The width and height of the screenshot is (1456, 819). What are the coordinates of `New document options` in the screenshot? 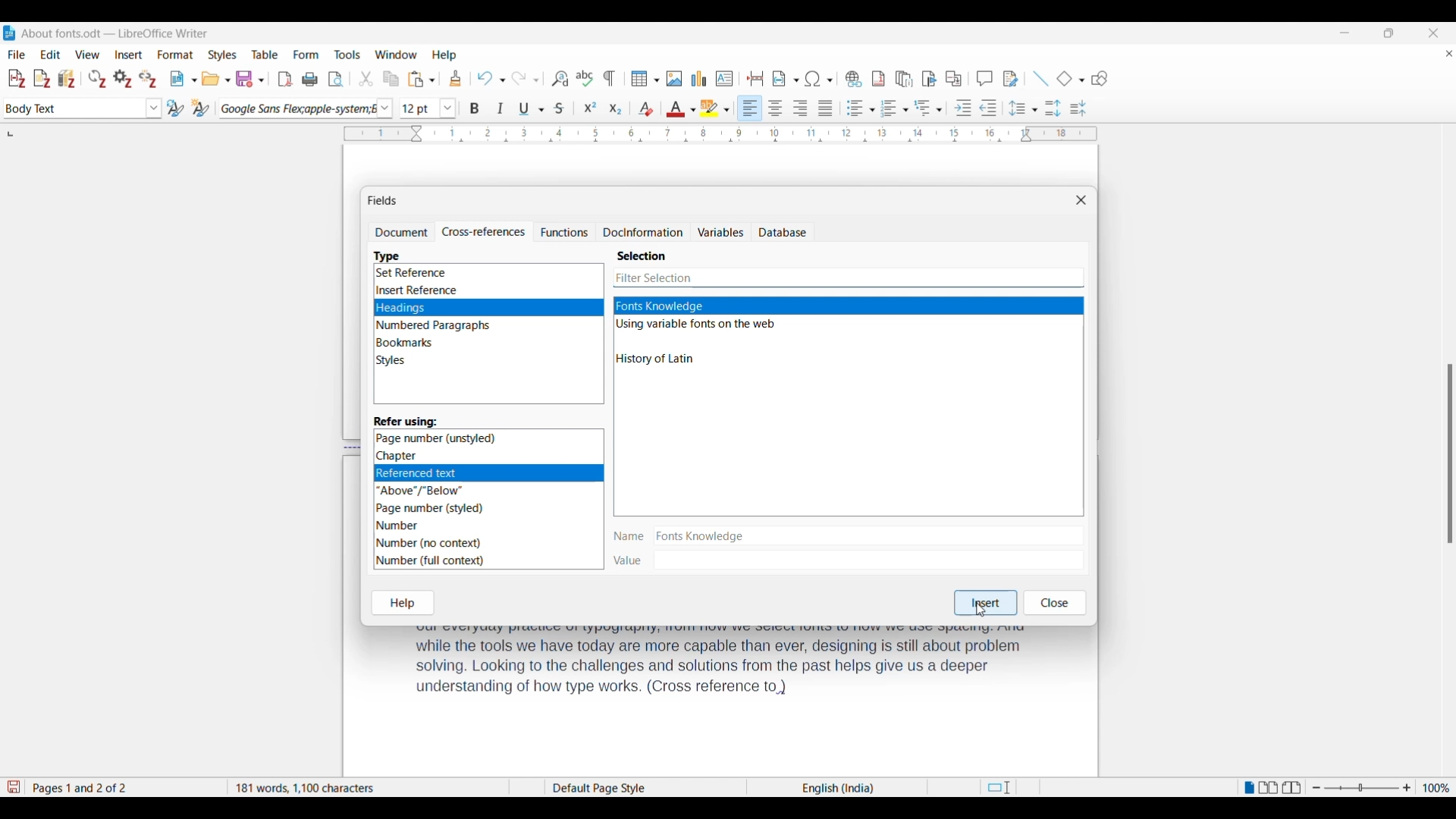 It's located at (184, 79).